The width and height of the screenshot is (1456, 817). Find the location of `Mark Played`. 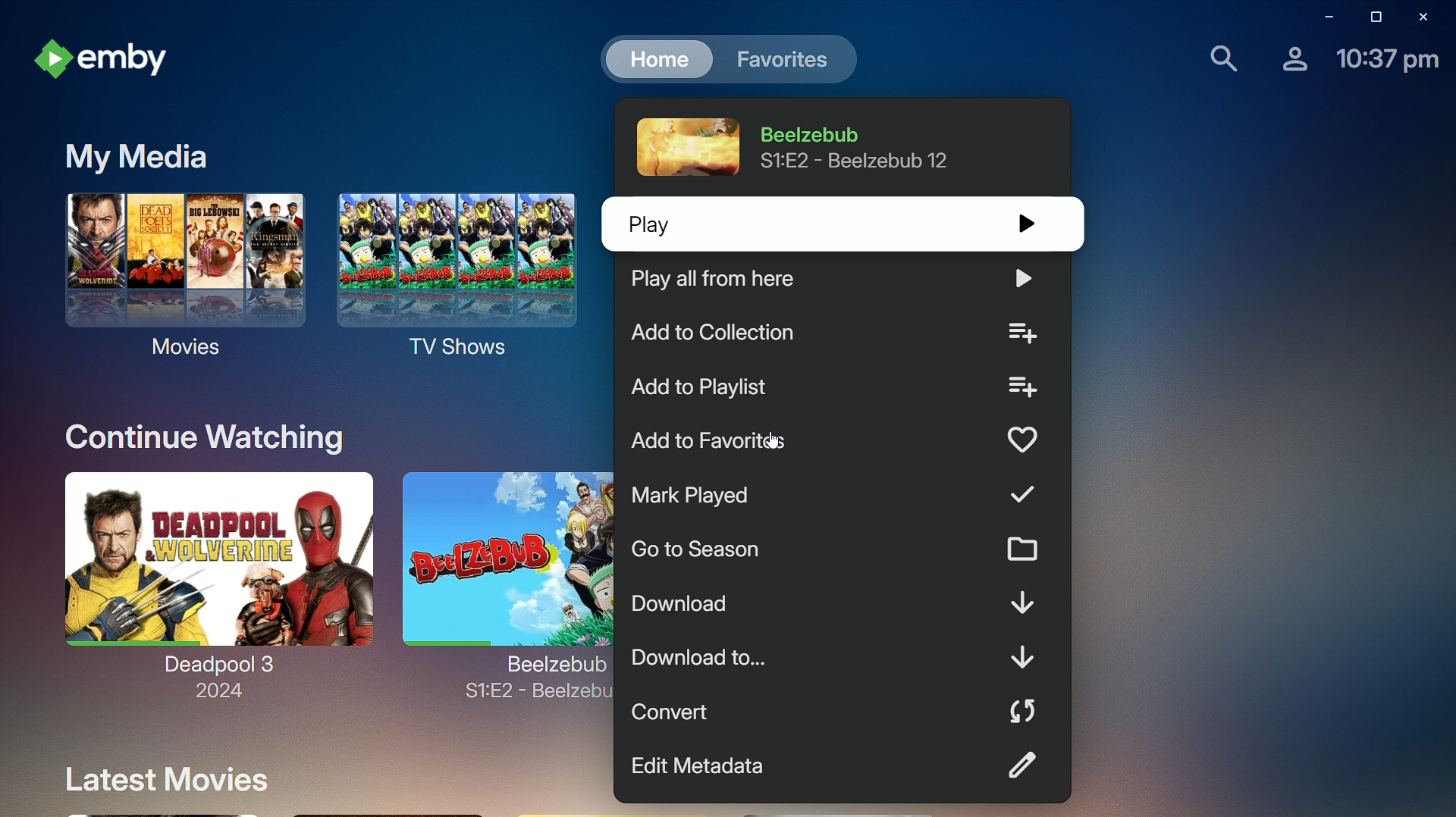

Mark Played is located at coordinates (840, 495).